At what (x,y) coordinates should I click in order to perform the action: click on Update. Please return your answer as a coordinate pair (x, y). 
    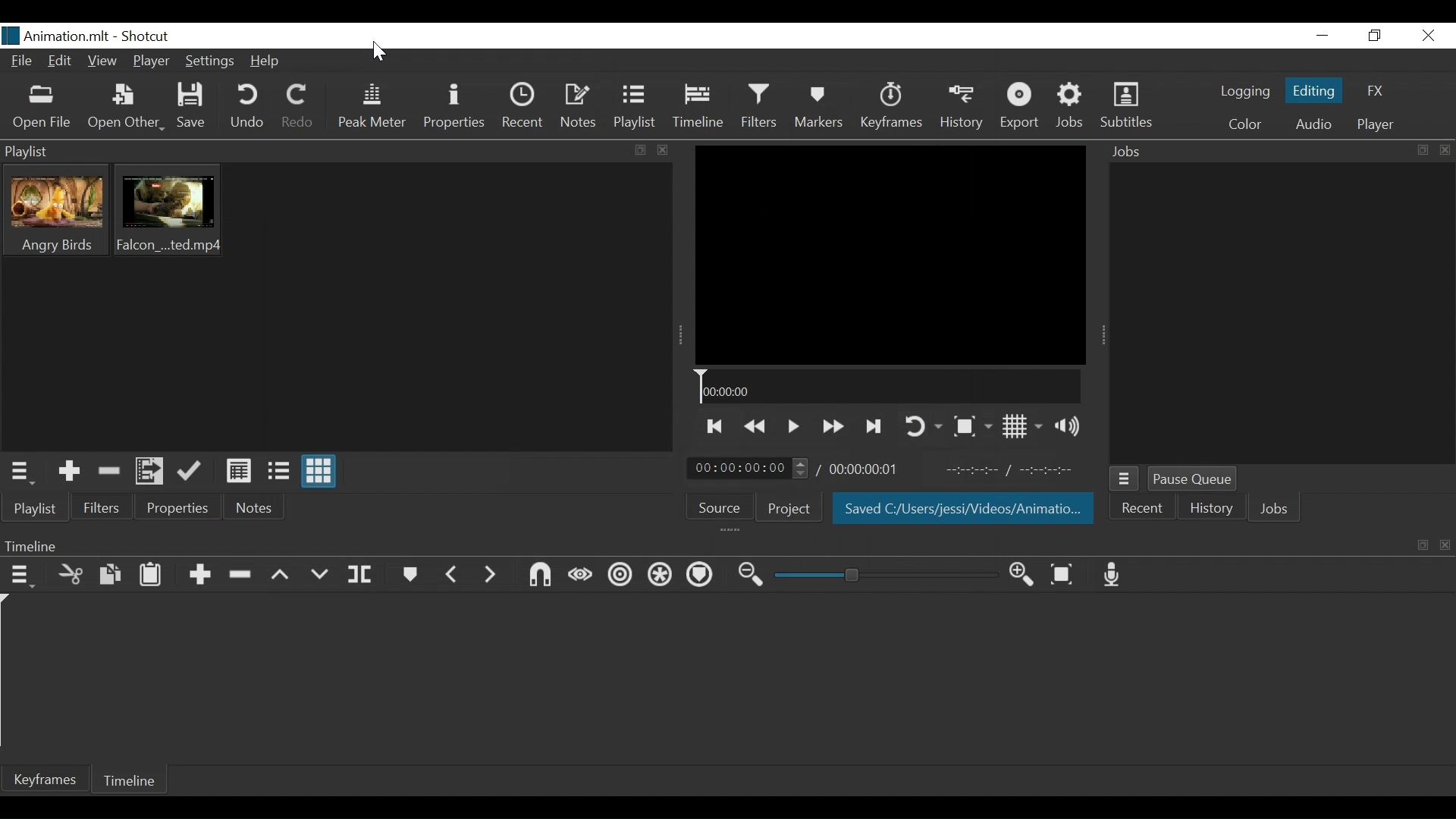
    Looking at the image, I should click on (190, 472).